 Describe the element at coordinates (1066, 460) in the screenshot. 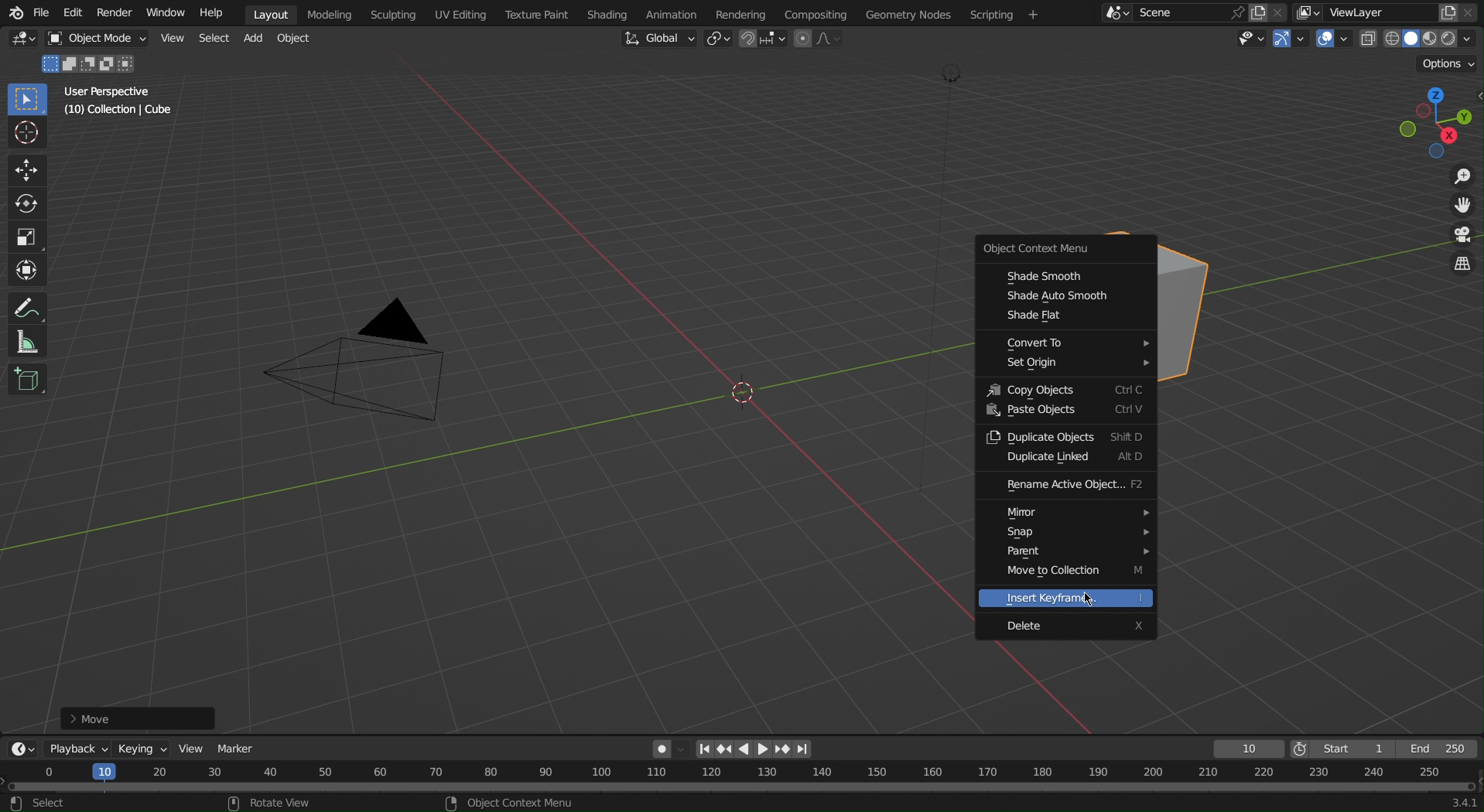

I see `Duplicate Linked` at that location.